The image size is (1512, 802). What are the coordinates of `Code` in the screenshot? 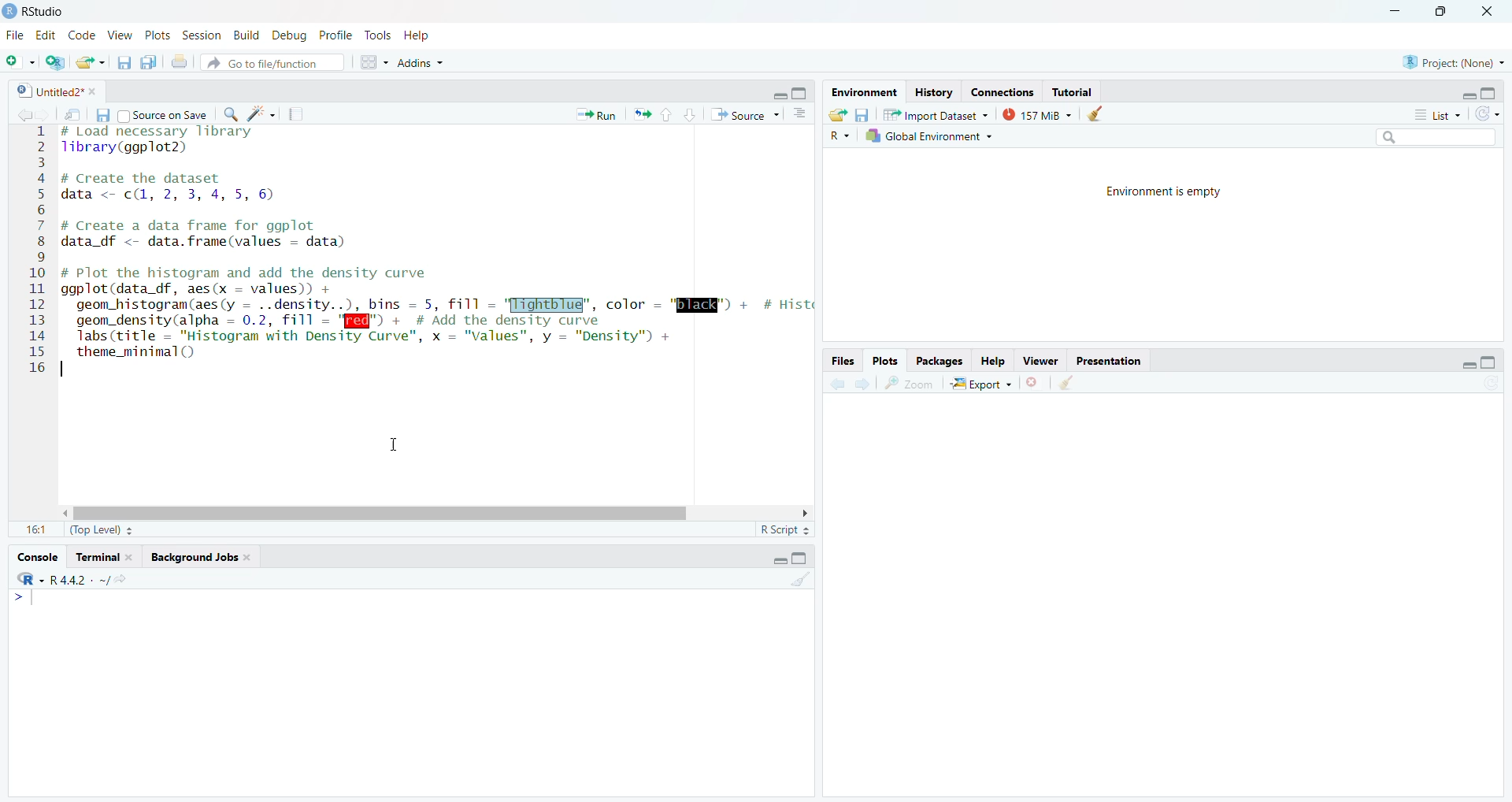 It's located at (80, 33).